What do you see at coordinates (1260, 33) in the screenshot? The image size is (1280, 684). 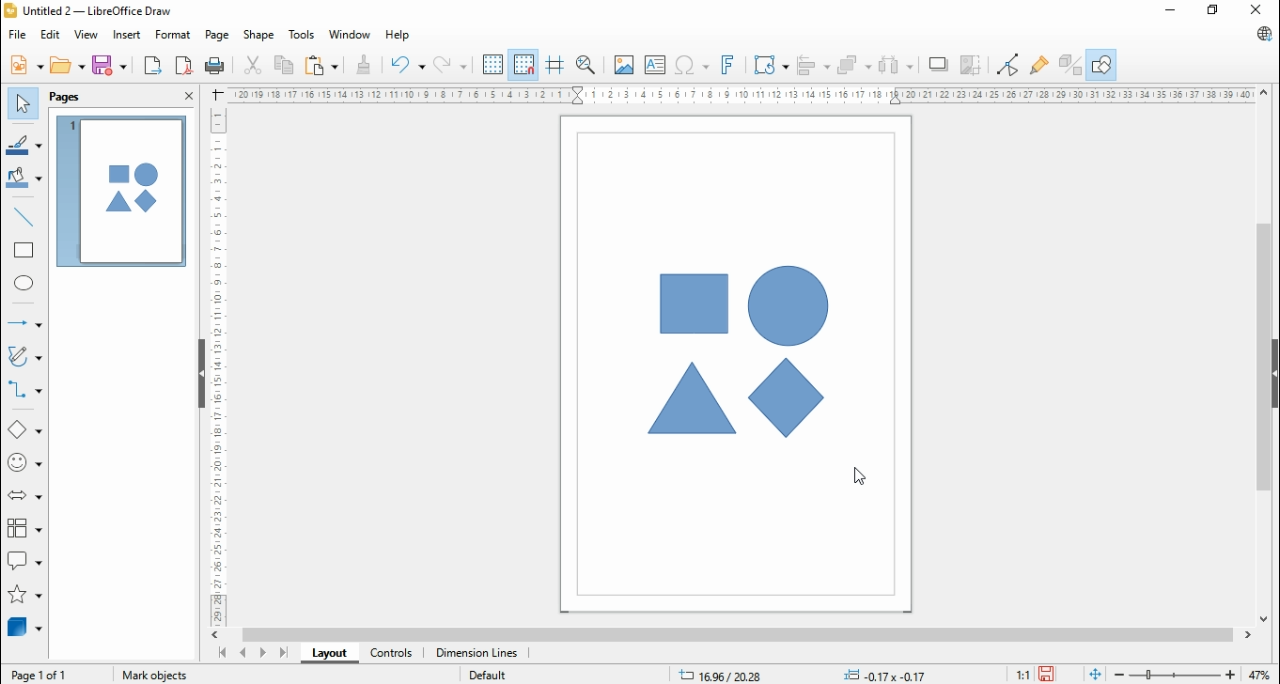 I see `libre office update` at bounding box center [1260, 33].